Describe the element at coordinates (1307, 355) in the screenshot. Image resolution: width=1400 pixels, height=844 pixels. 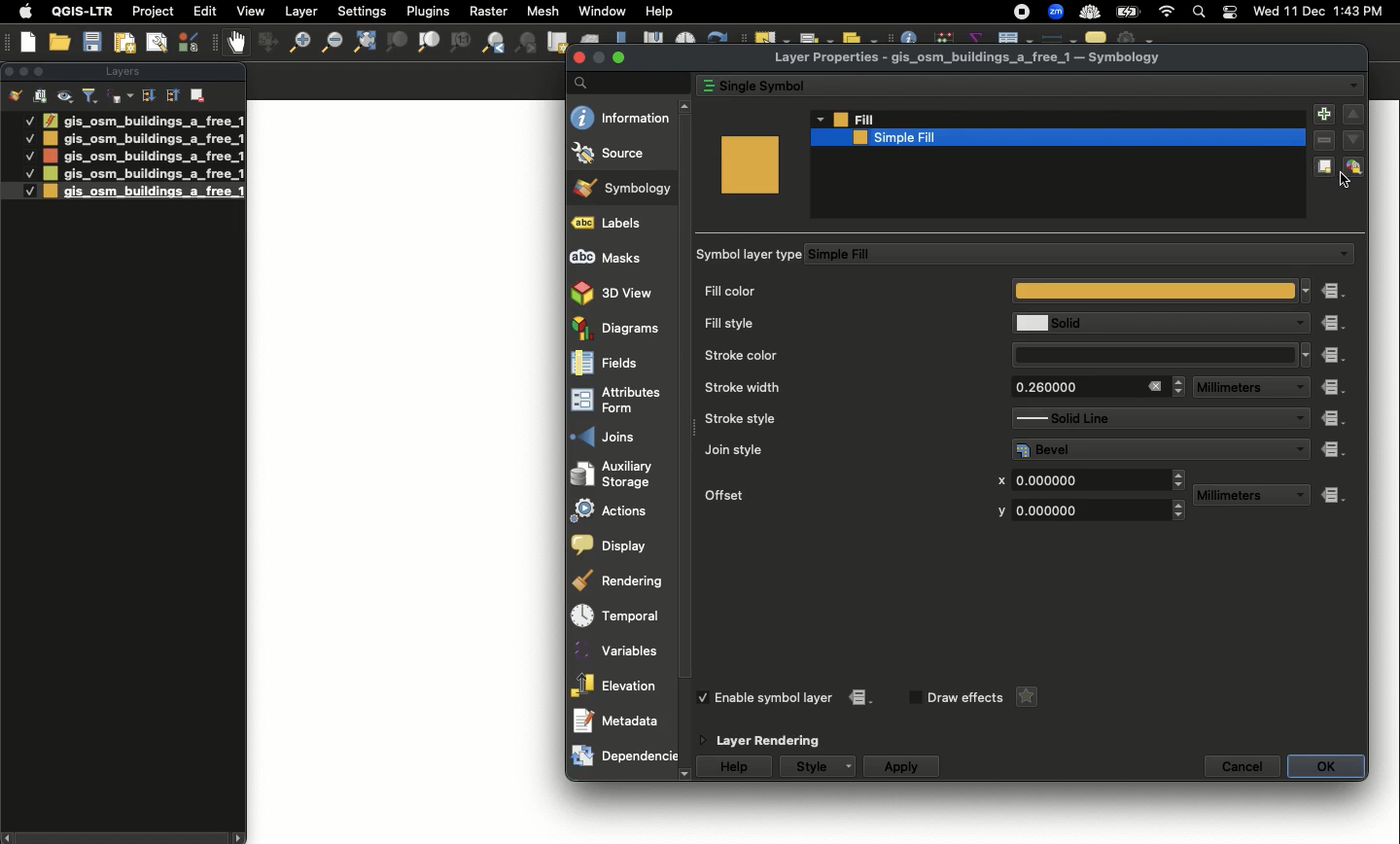
I see `Drop down` at that location.